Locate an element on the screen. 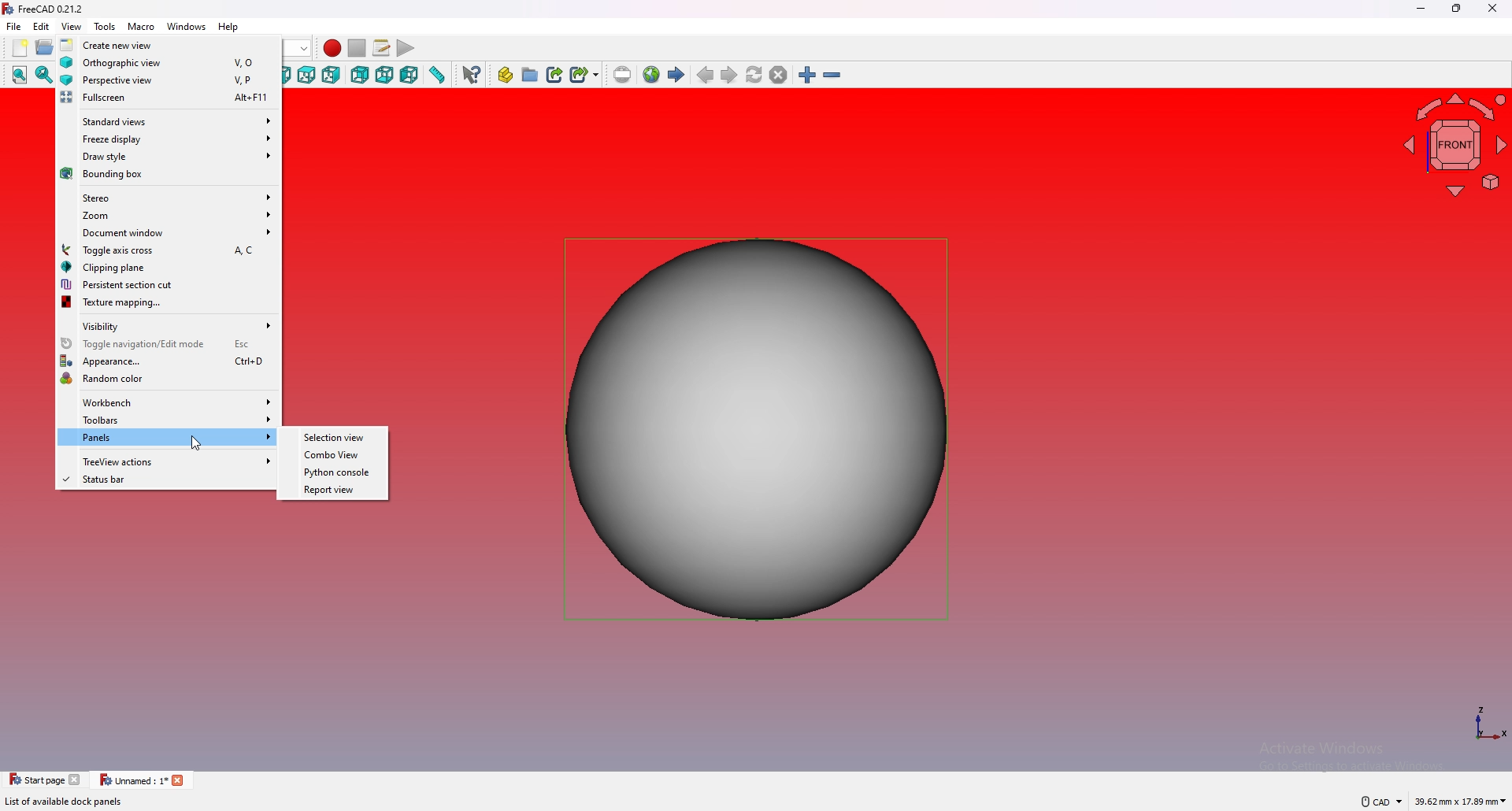 The image size is (1512, 811). panels is located at coordinates (167, 438).